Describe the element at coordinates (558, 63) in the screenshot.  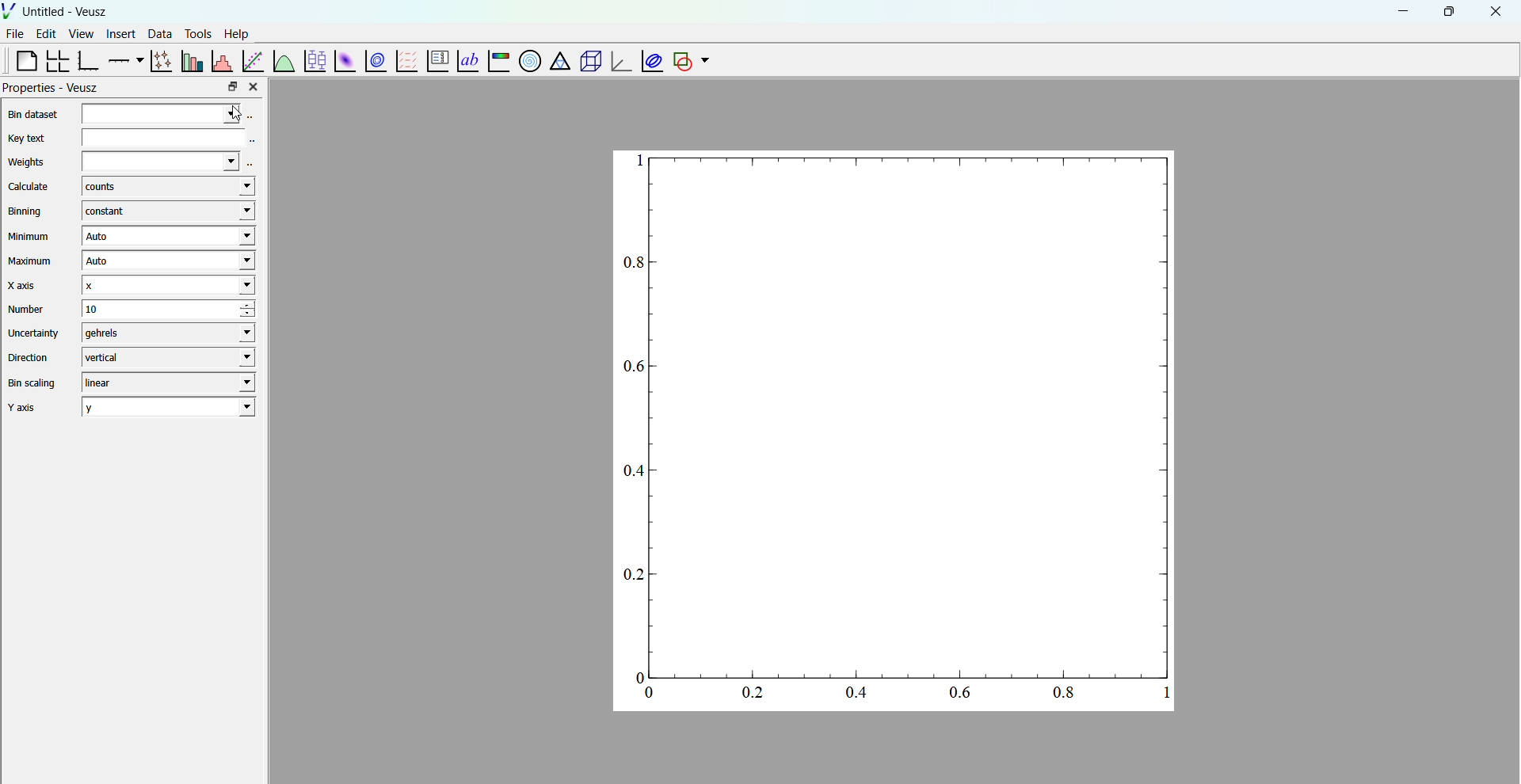
I see `ternary graph` at that location.